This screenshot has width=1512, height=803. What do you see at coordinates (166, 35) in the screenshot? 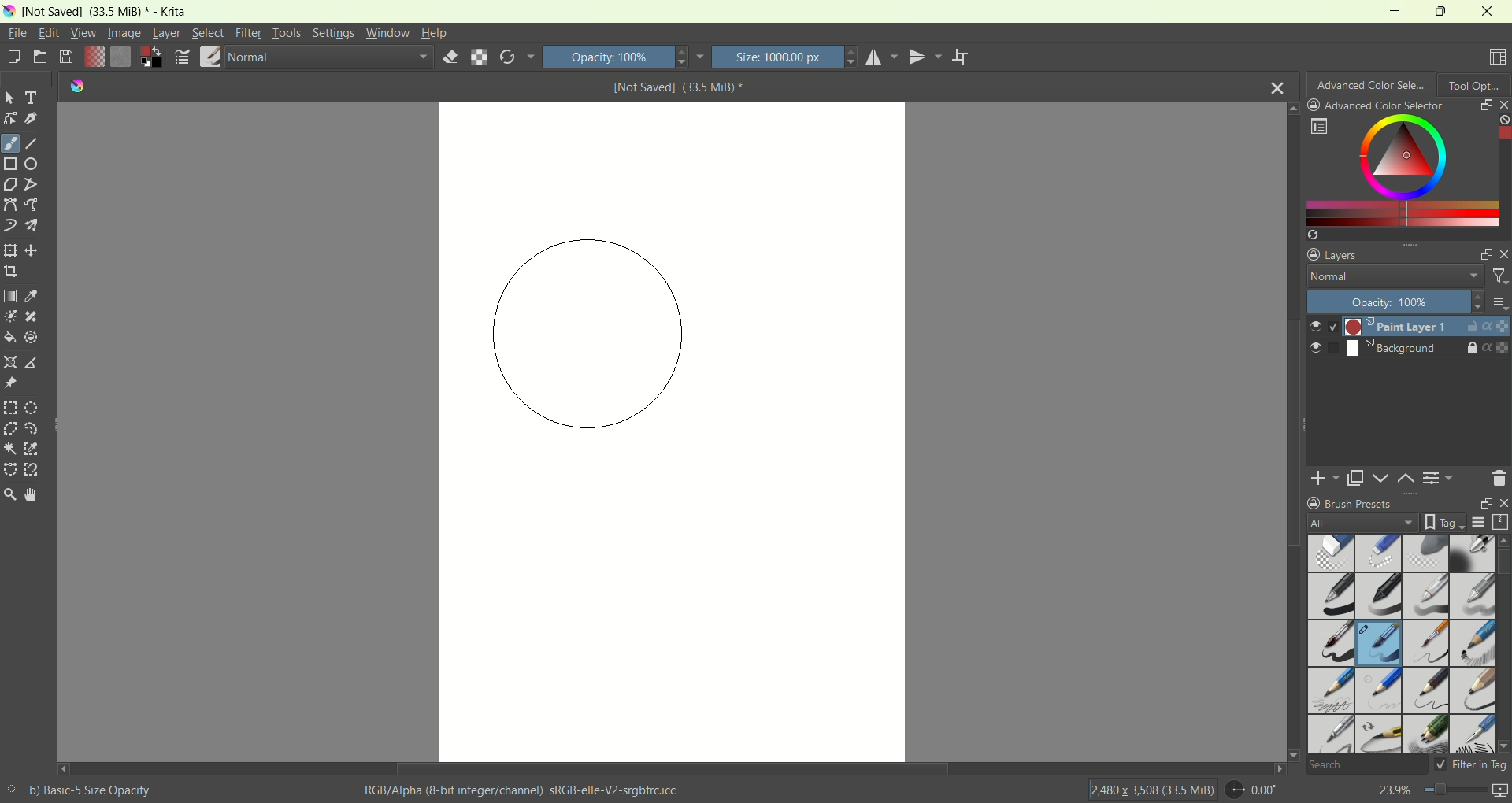
I see `layer` at bounding box center [166, 35].